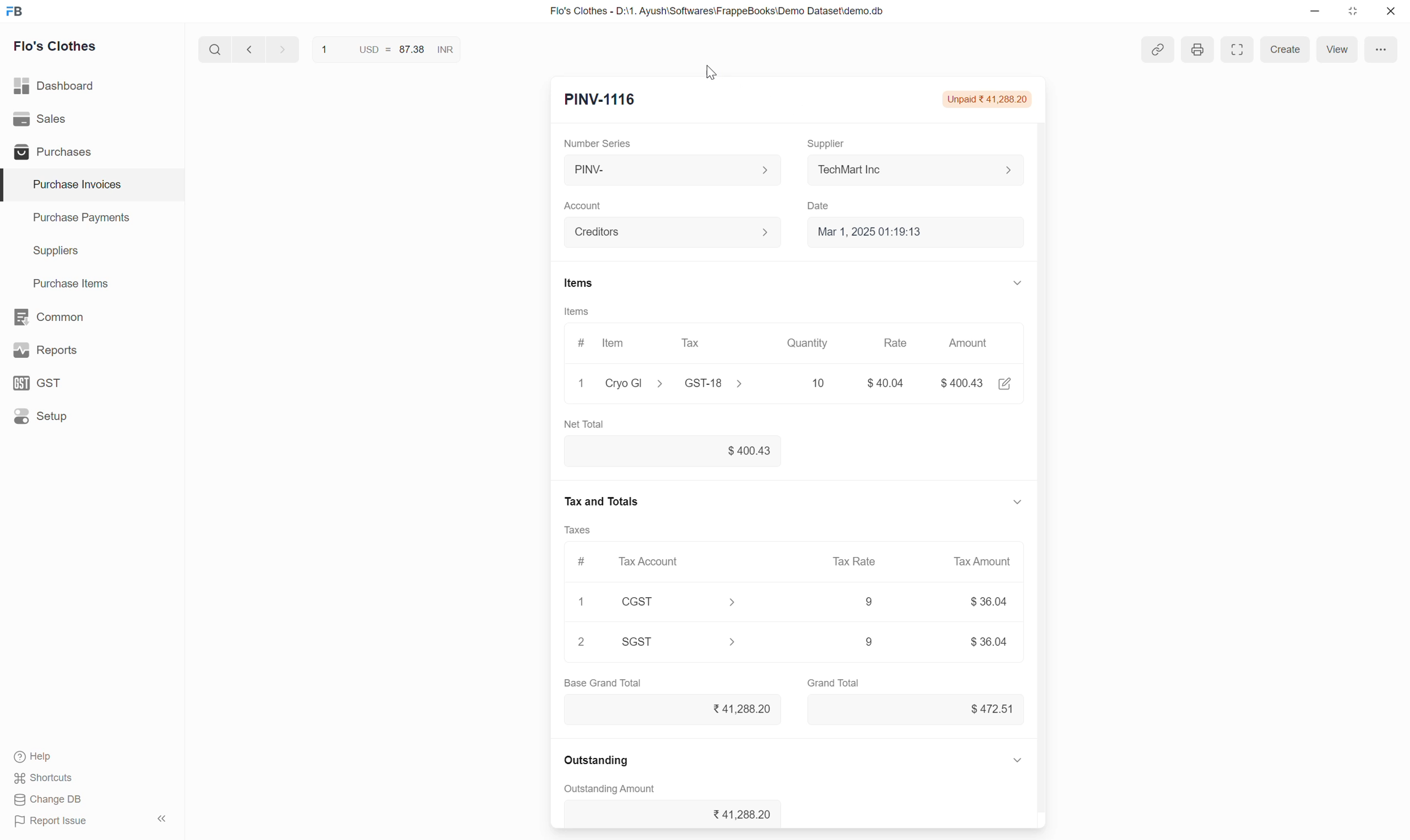 The height and width of the screenshot is (840, 1410). What do you see at coordinates (694, 342) in the screenshot?
I see `Tax` at bounding box center [694, 342].